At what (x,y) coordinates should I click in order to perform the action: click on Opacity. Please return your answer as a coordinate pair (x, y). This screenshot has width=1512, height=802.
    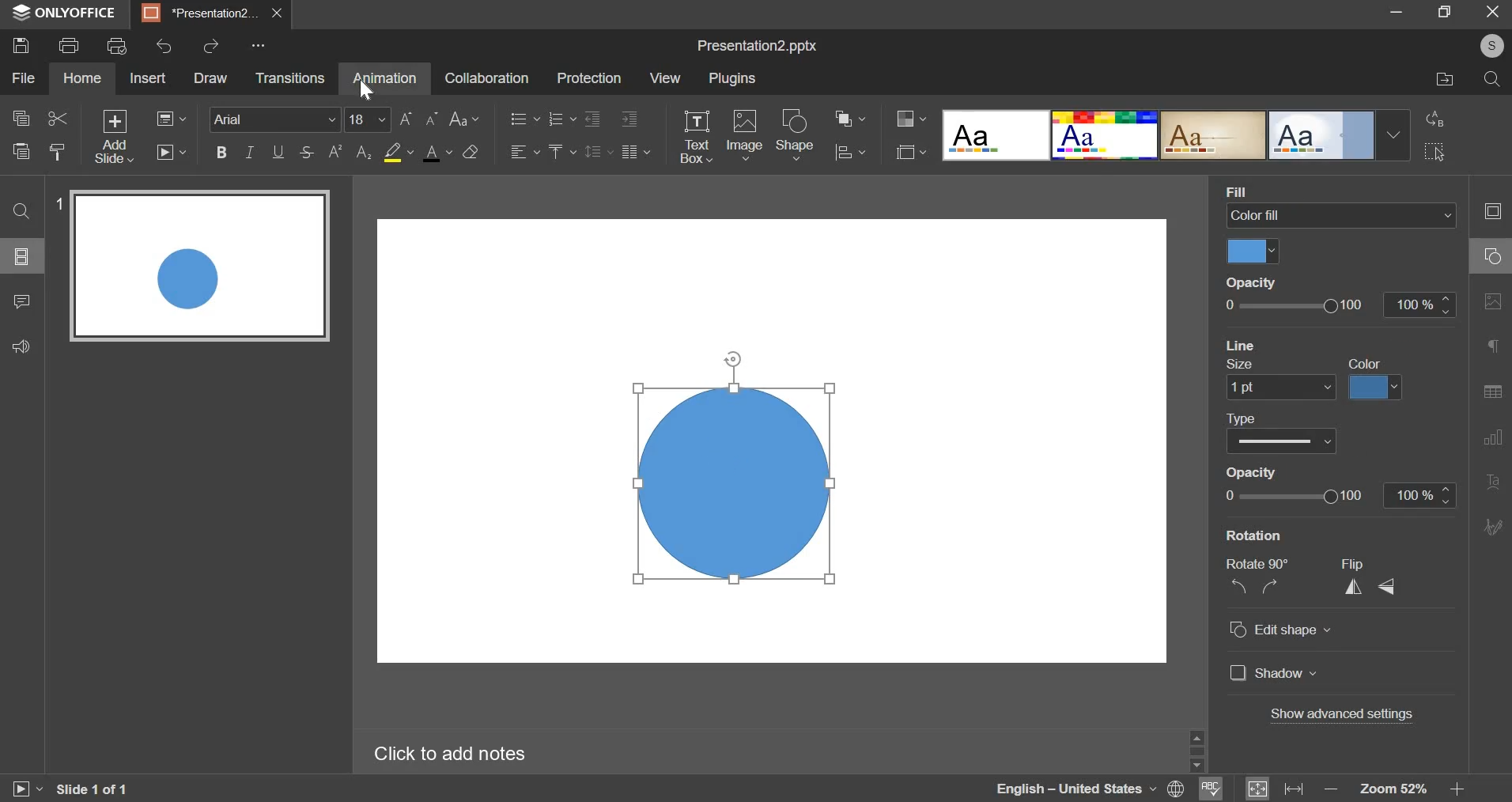
    Looking at the image, I should click on (1247, 282).